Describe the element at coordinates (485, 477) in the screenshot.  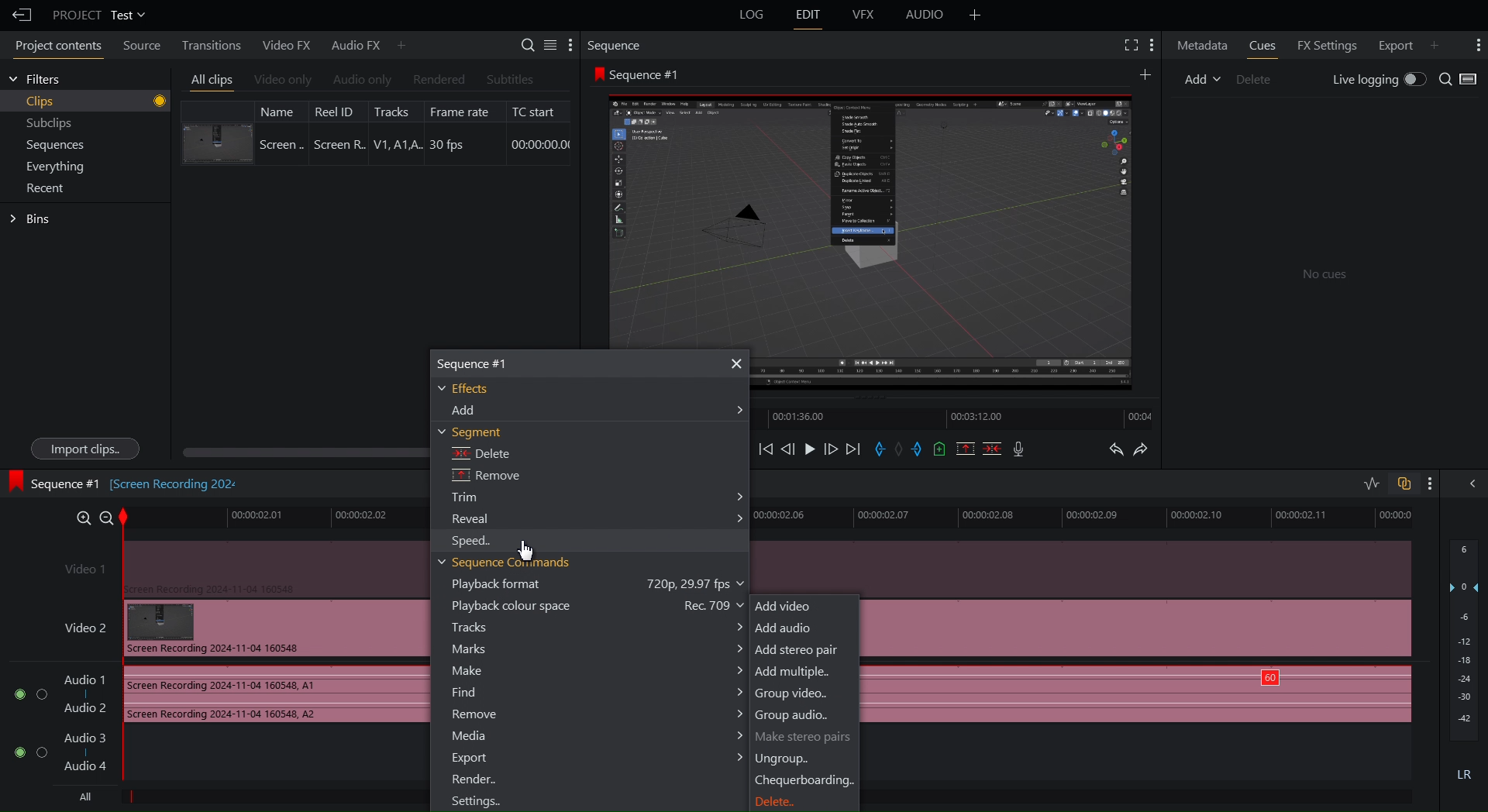
I see `Remove` at that location.